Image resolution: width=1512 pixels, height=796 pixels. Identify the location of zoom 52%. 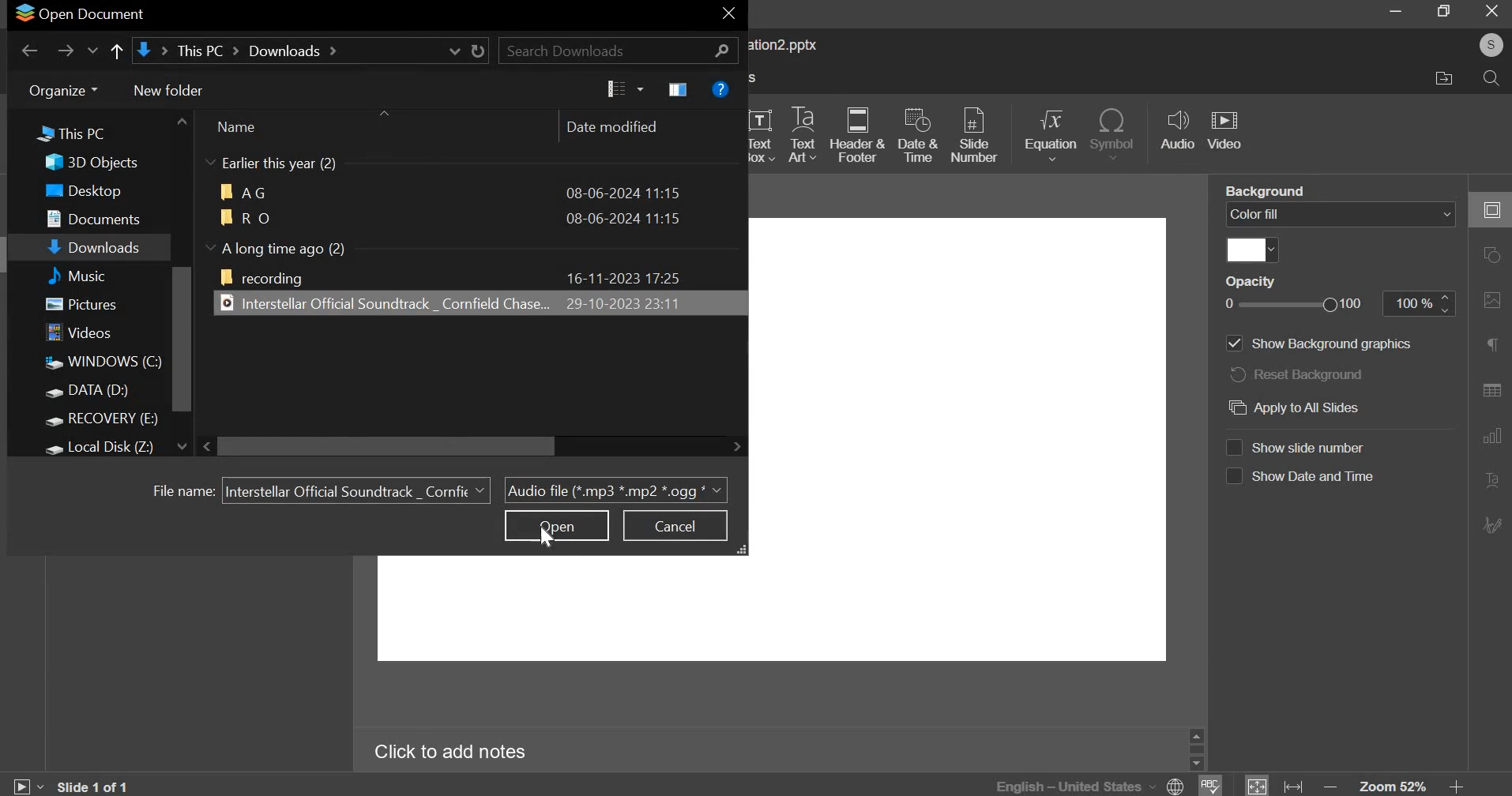
(1394, 785).